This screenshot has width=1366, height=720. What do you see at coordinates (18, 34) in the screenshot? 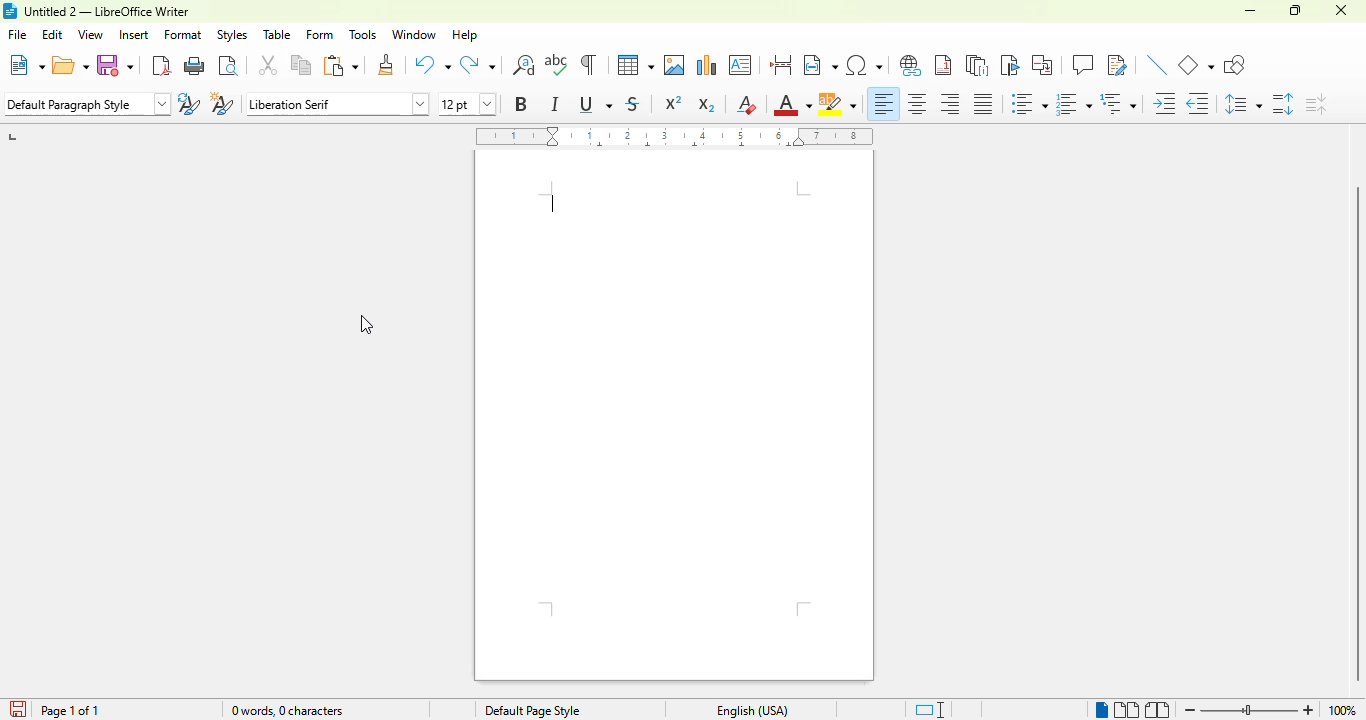
I see `file` at bounding box center [18, 34].